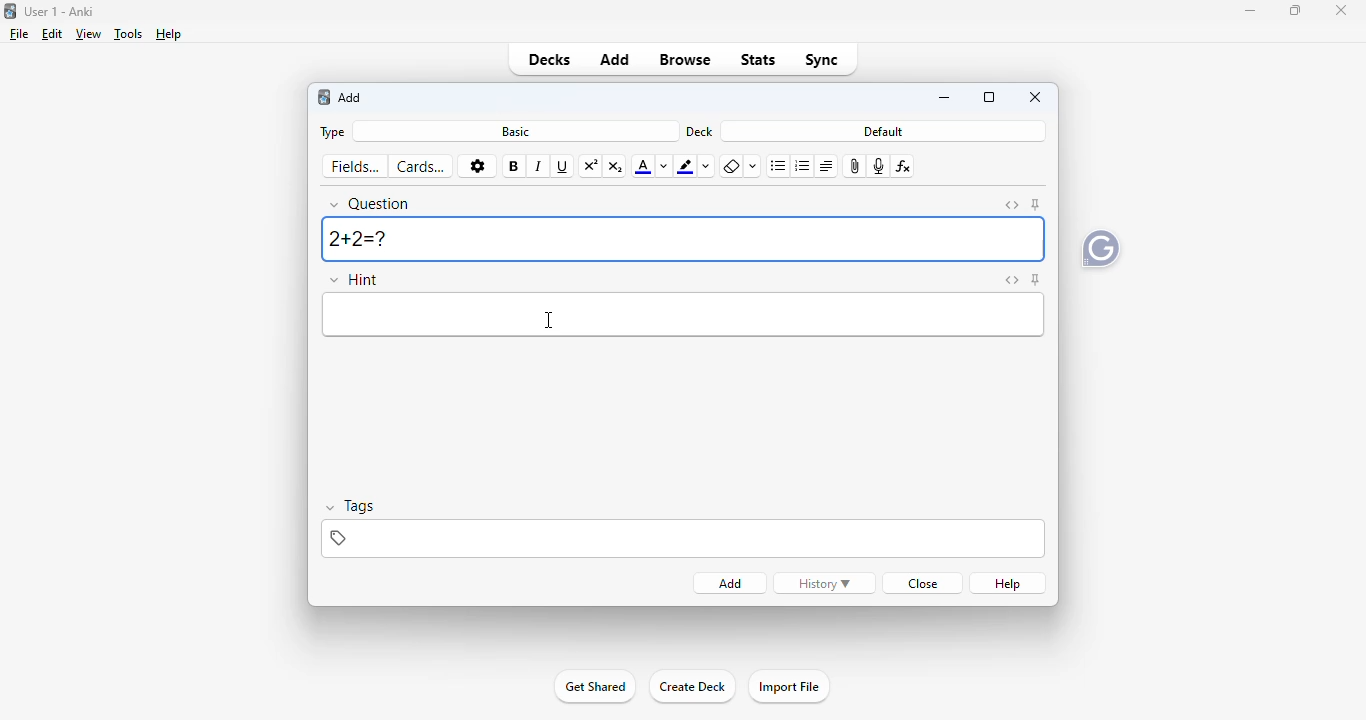 This screenshot has width=1366, height=720. What do you see at coordinates (947, 98) in the screenshot?
I see `minimize` at bounding box center [947, 98].